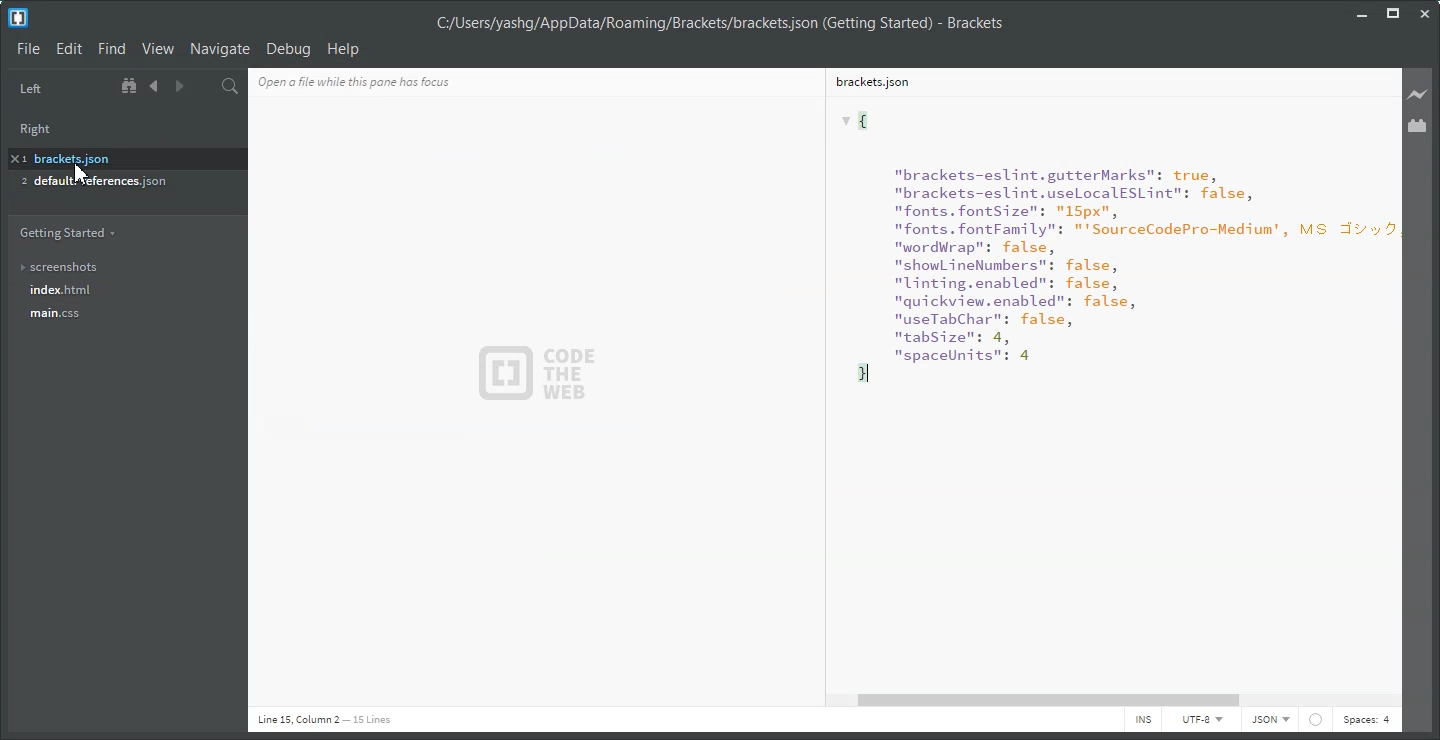 The width and height of the screenshot is (1440, 740). I want to click on File, so click(28, 48).